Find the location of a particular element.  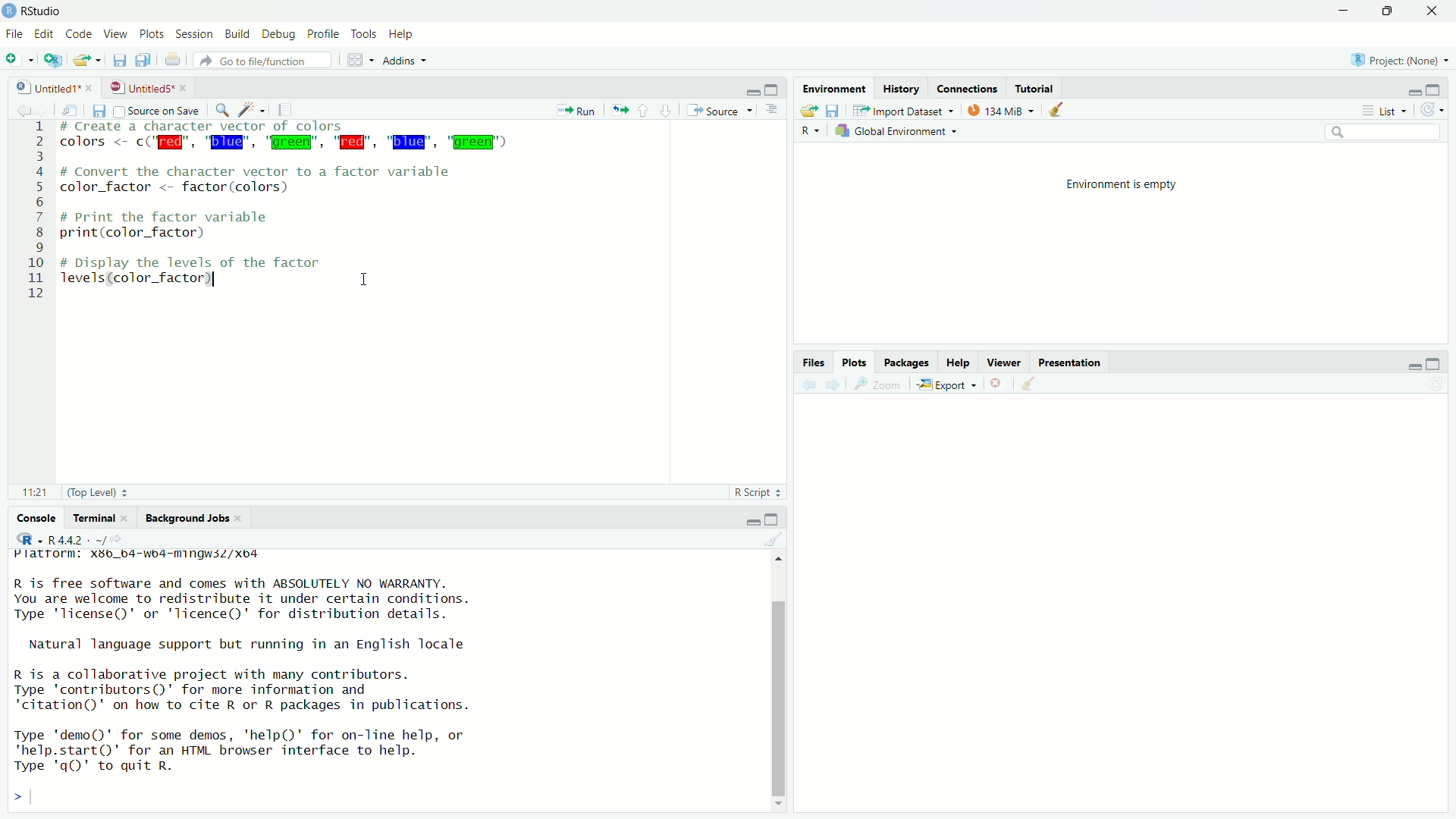

Help is located at coordinates (958, 363).